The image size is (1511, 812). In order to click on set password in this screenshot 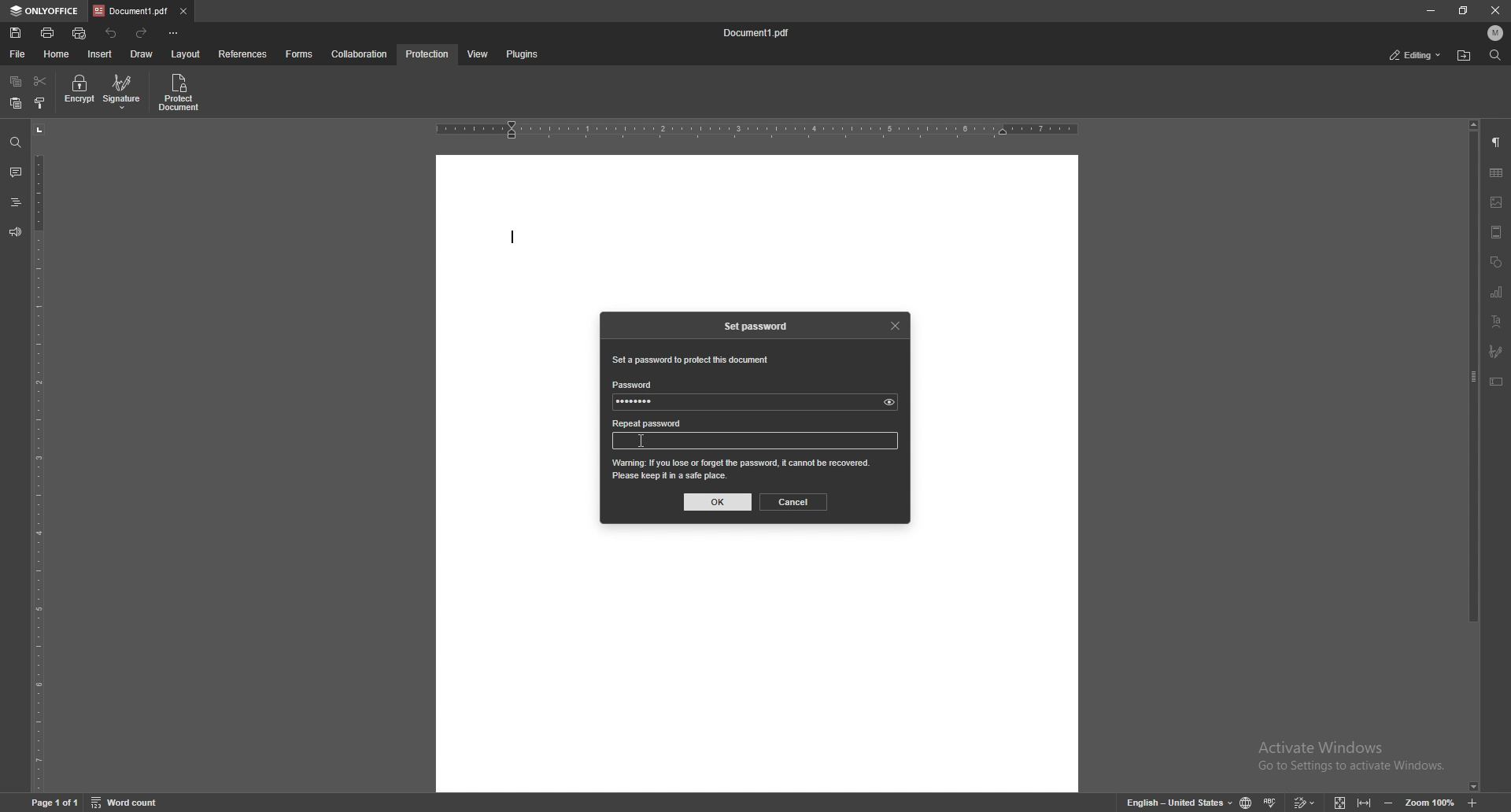, I will do `click(756, 325)`.